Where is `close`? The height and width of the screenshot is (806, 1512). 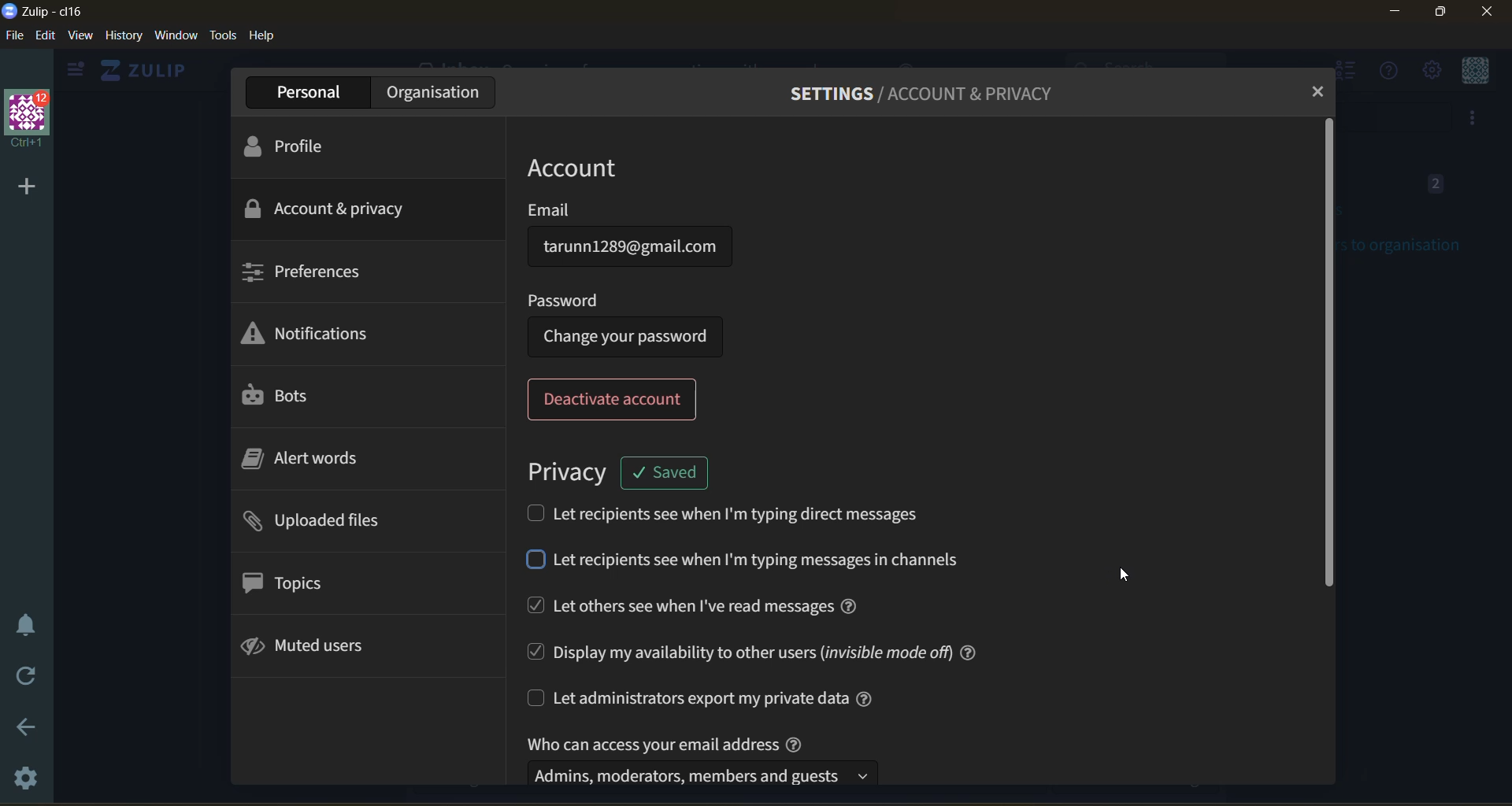
close is located at coordinates (1490, 12).